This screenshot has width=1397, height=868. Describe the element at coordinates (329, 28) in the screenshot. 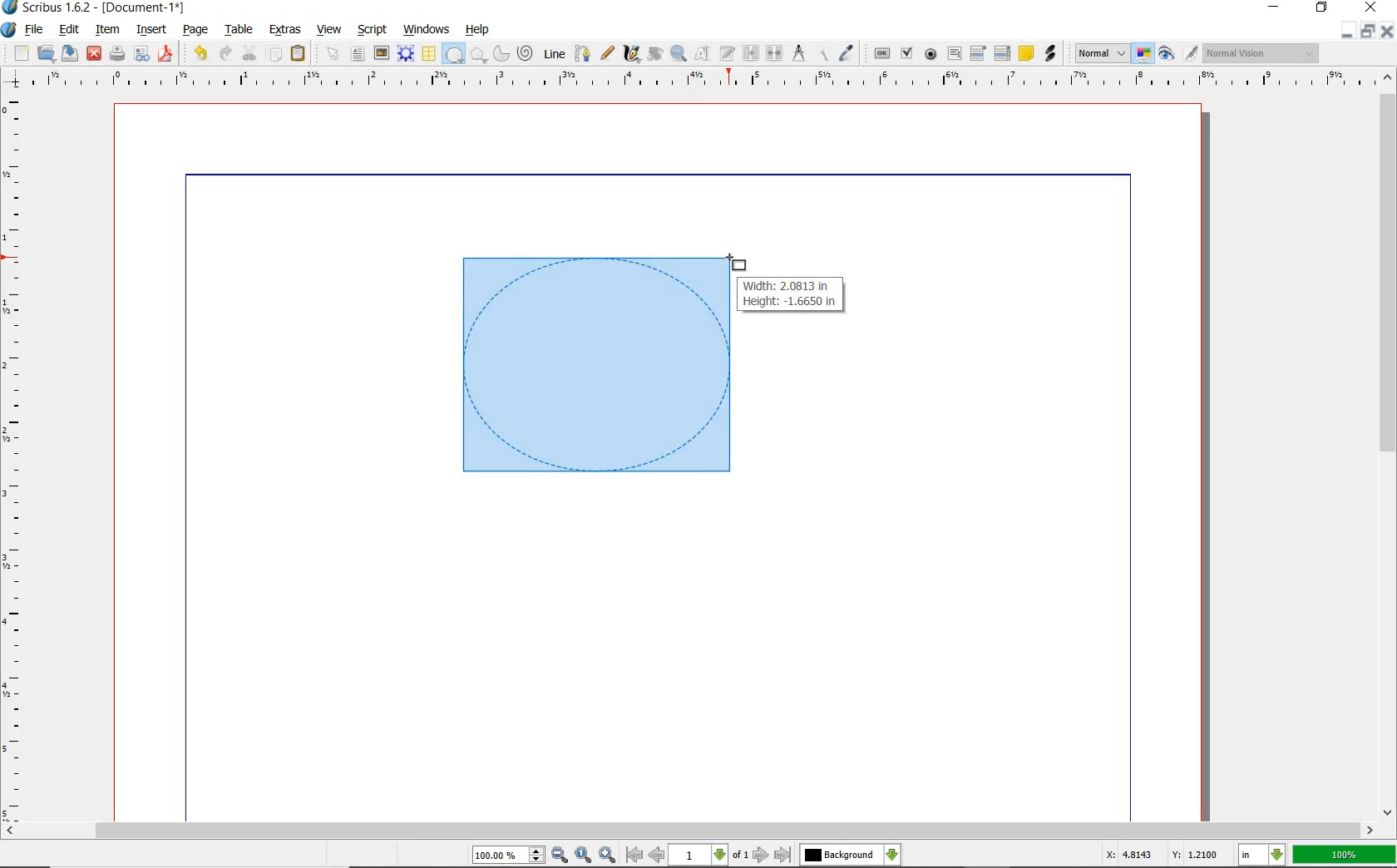

I see `VIEW` at that location.